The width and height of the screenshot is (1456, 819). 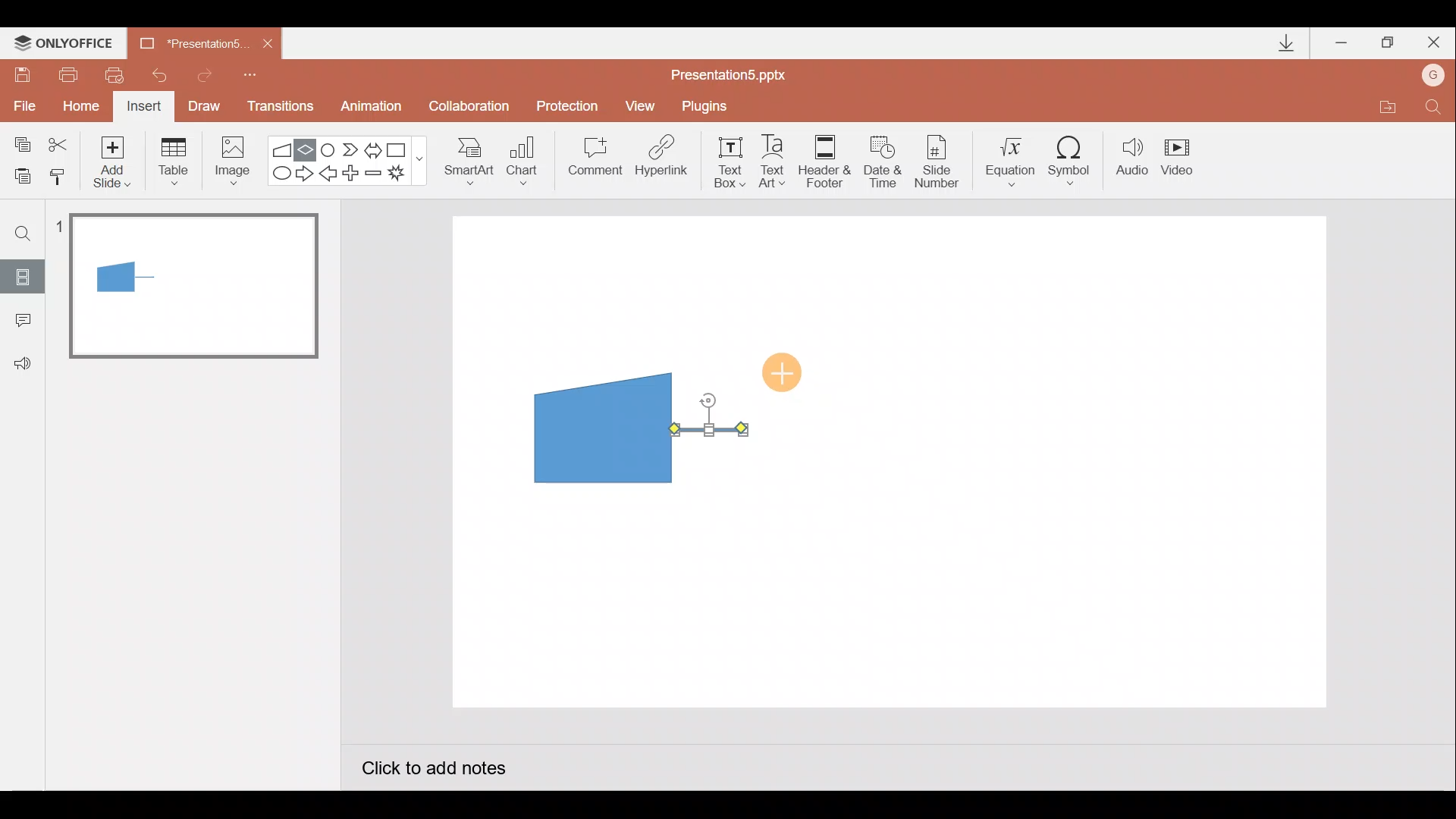 I want to click on Manual input flow chart , so click(x=600, y=426).